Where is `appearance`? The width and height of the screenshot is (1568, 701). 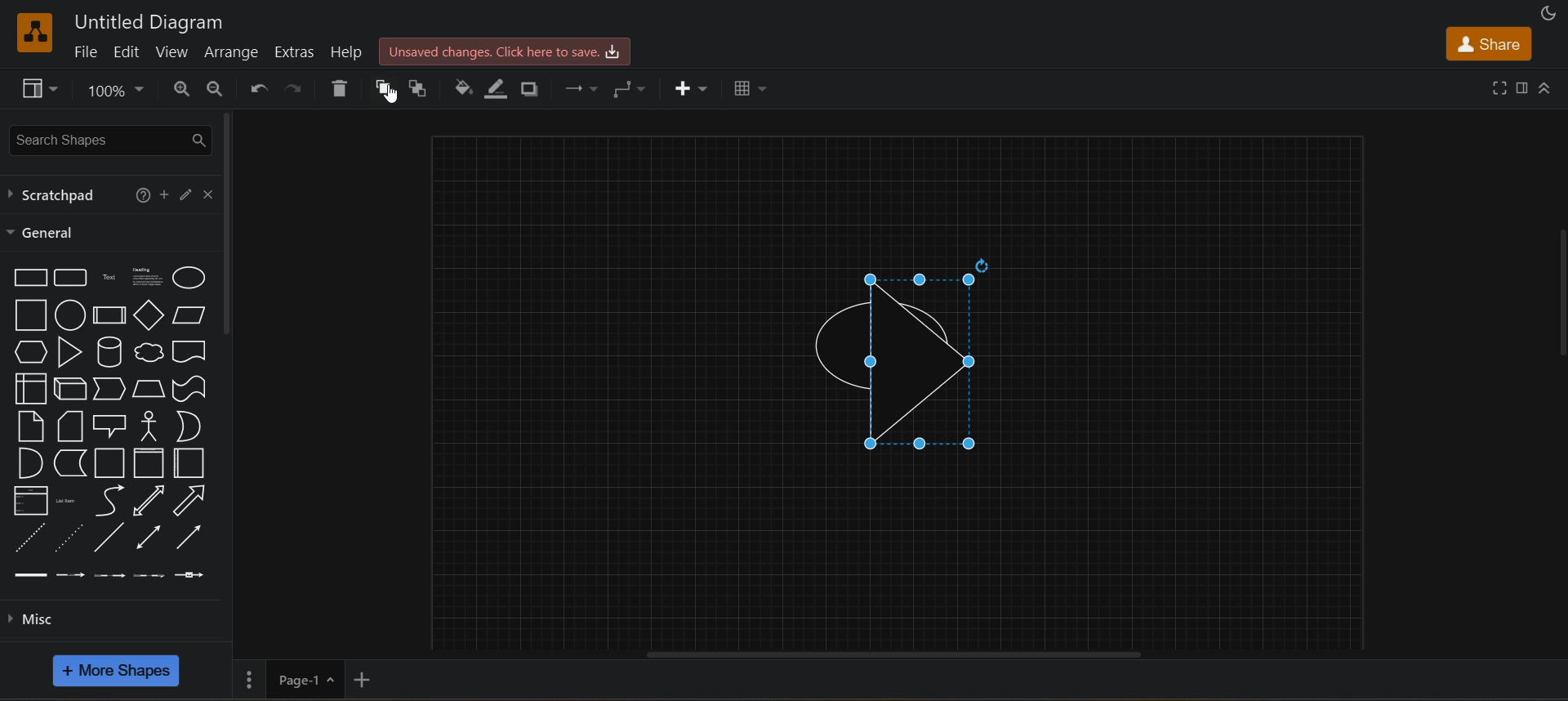 appearance is located at coordinates (1551, 11).